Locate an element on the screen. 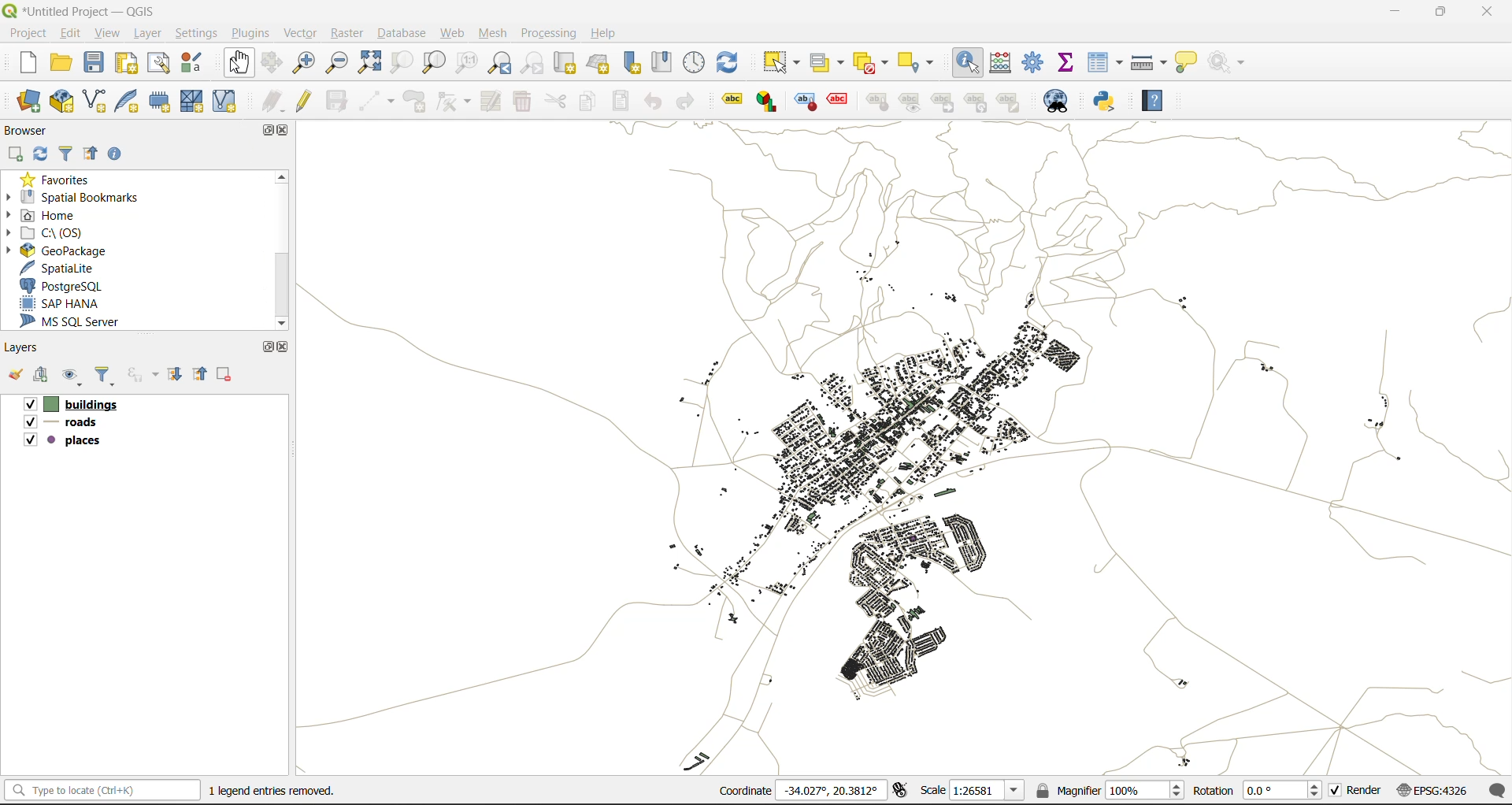 The width and height of the screenshot is (1512, 805). close is located at coordinates (288, 347).